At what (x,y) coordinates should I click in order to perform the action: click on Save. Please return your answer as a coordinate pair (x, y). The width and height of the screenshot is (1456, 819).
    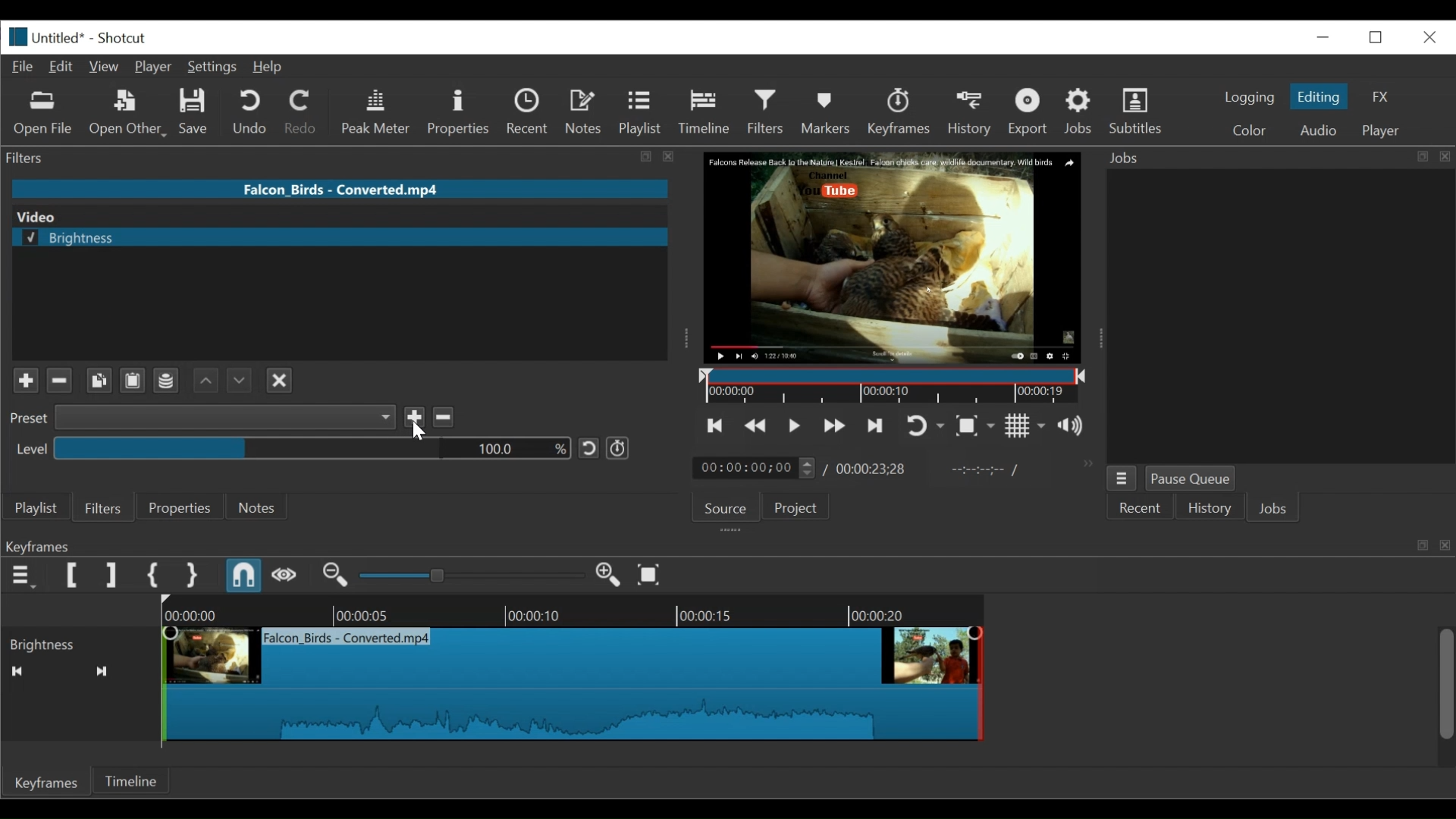
    Looking at the image, I should click on (193, 112).